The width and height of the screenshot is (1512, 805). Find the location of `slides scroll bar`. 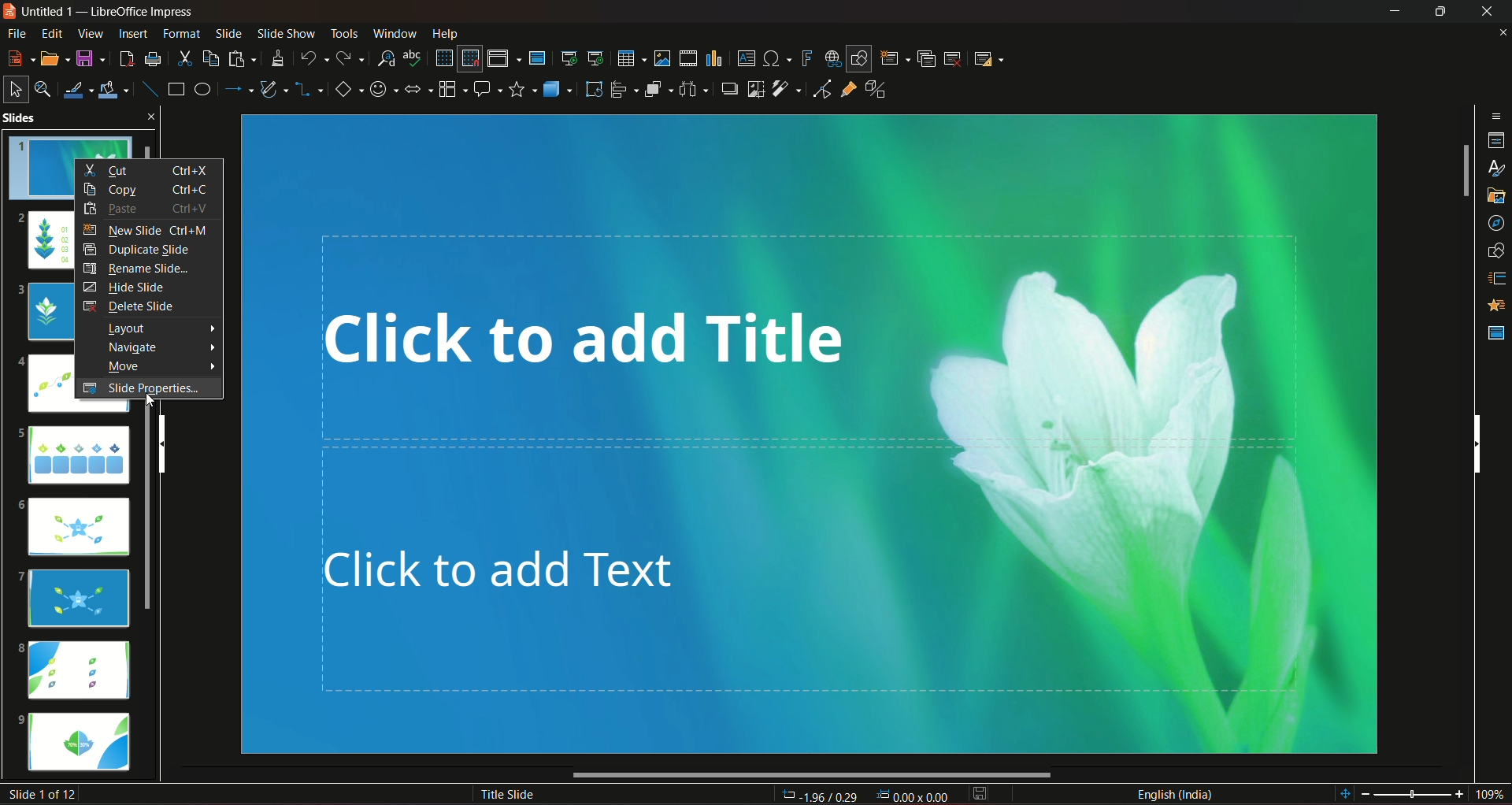

slides scroll bar is located at coordinates (154, 520).